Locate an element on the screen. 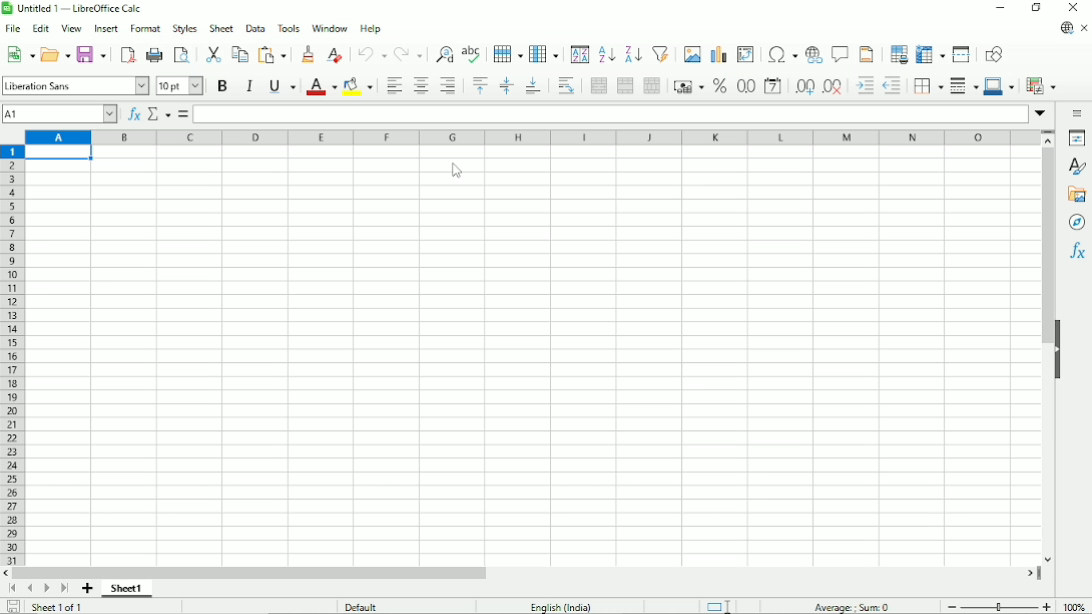 This screenshot has width=1092, height=614. Underline is located at coordinates (281, 85).